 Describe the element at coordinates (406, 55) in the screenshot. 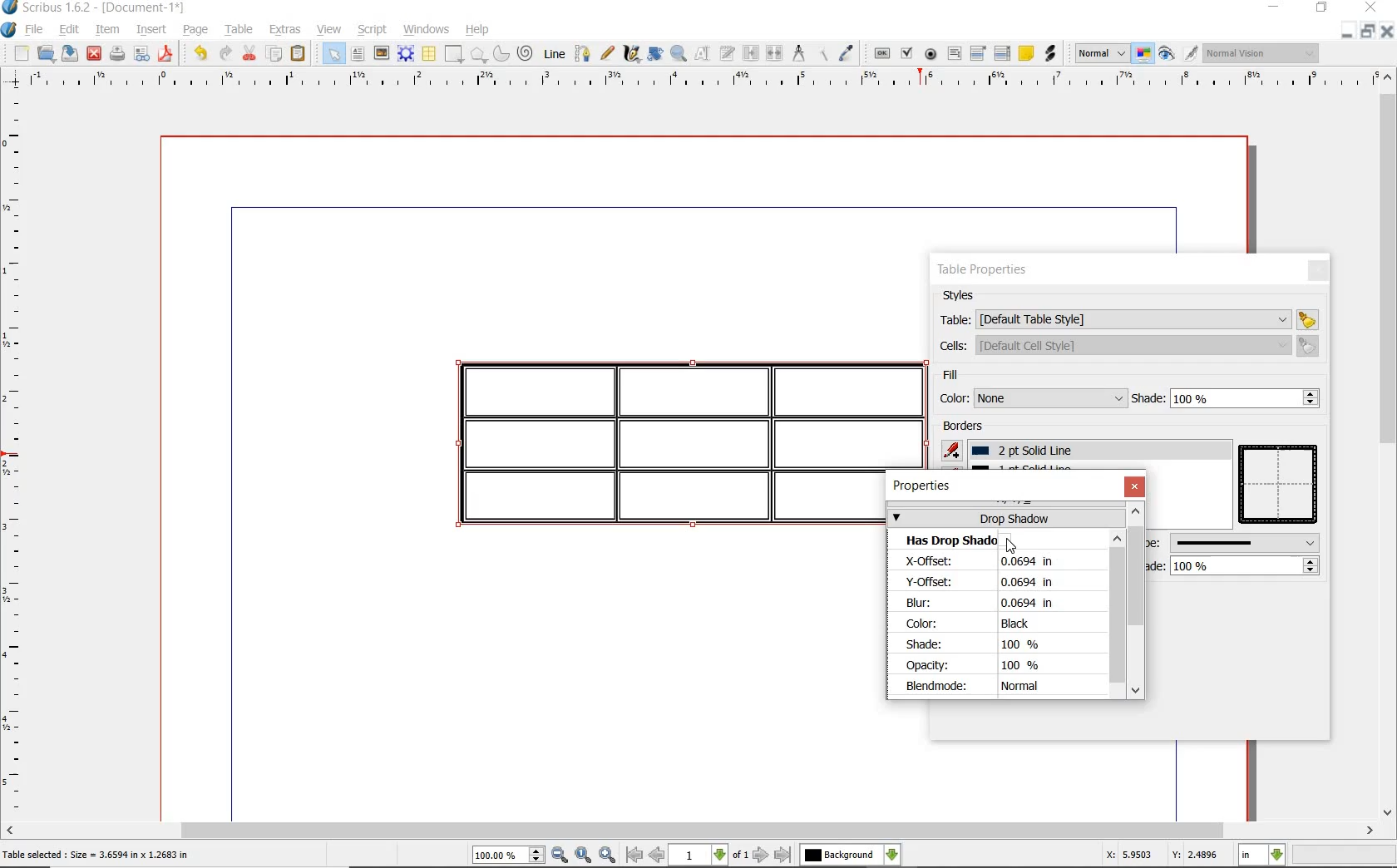

I see `render frame` at that location.